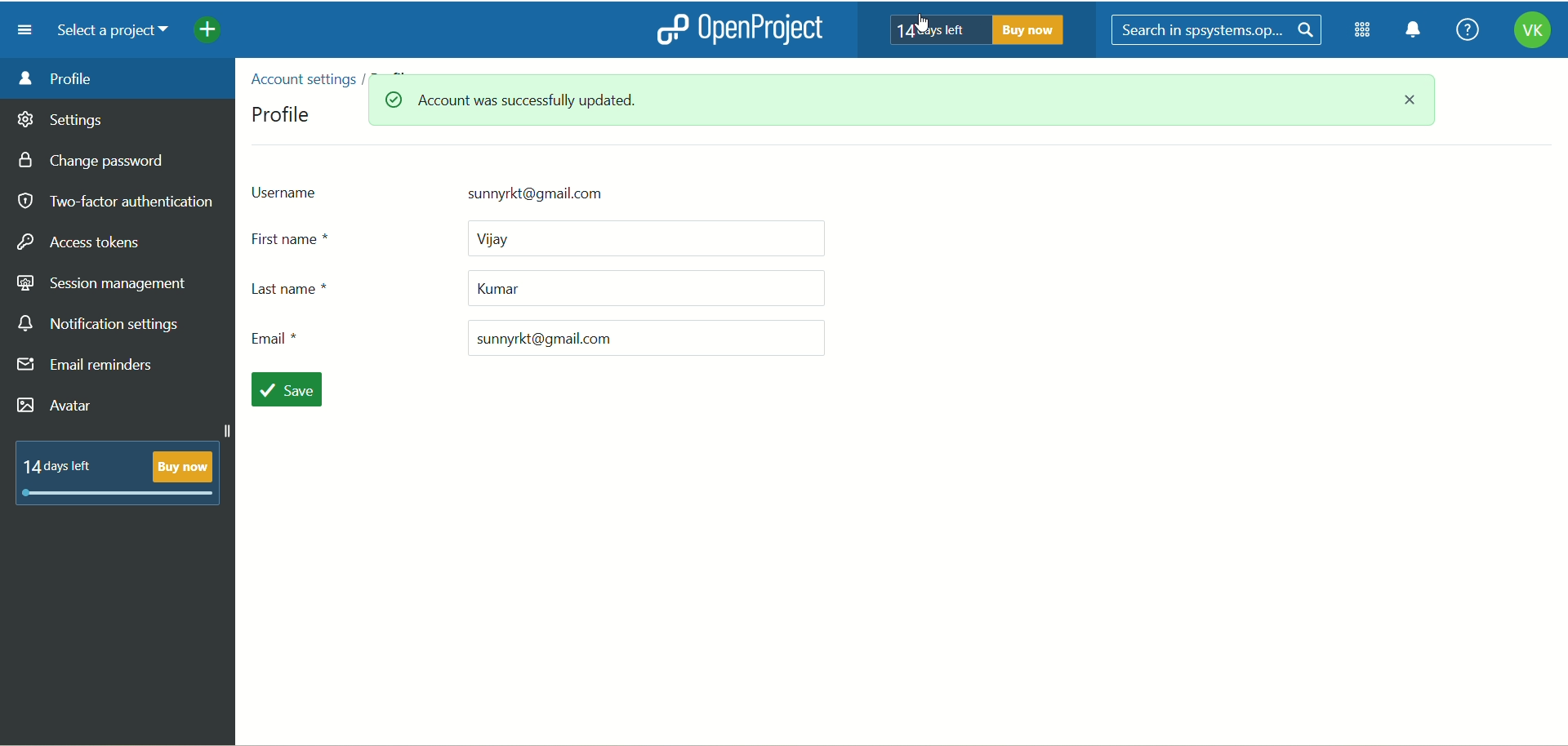 The width and height of the screenshot is (1568, 746). What do you see at coordinates (533, 286) in the screenshot?
I see `last name` at bounding box center [533, 286].